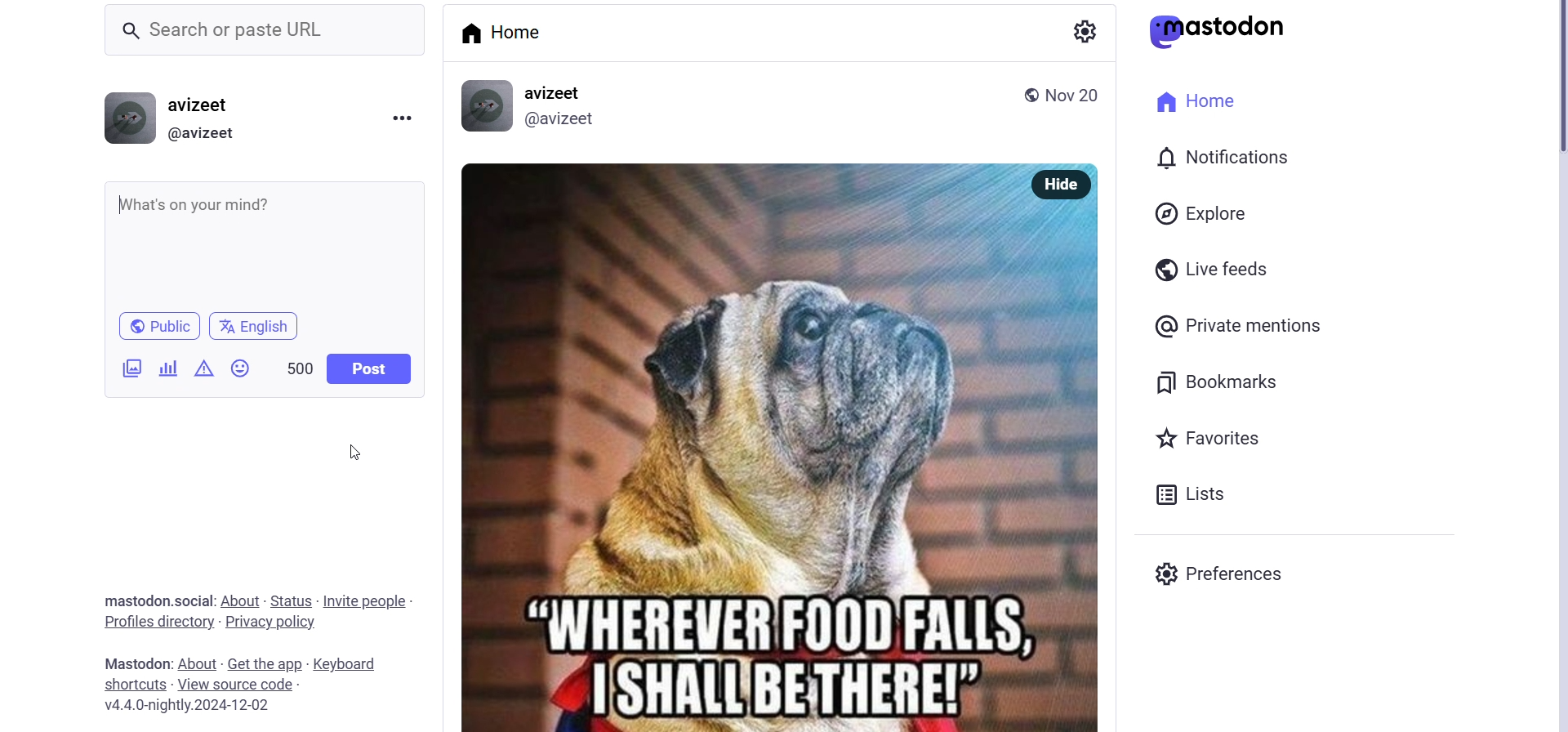 Image resolution: width=1568 pixels, height=732 pixels. What do you see at coordinates (167, 368) in the screenshot?
I see `add poll` at bounding box center [167, 368].